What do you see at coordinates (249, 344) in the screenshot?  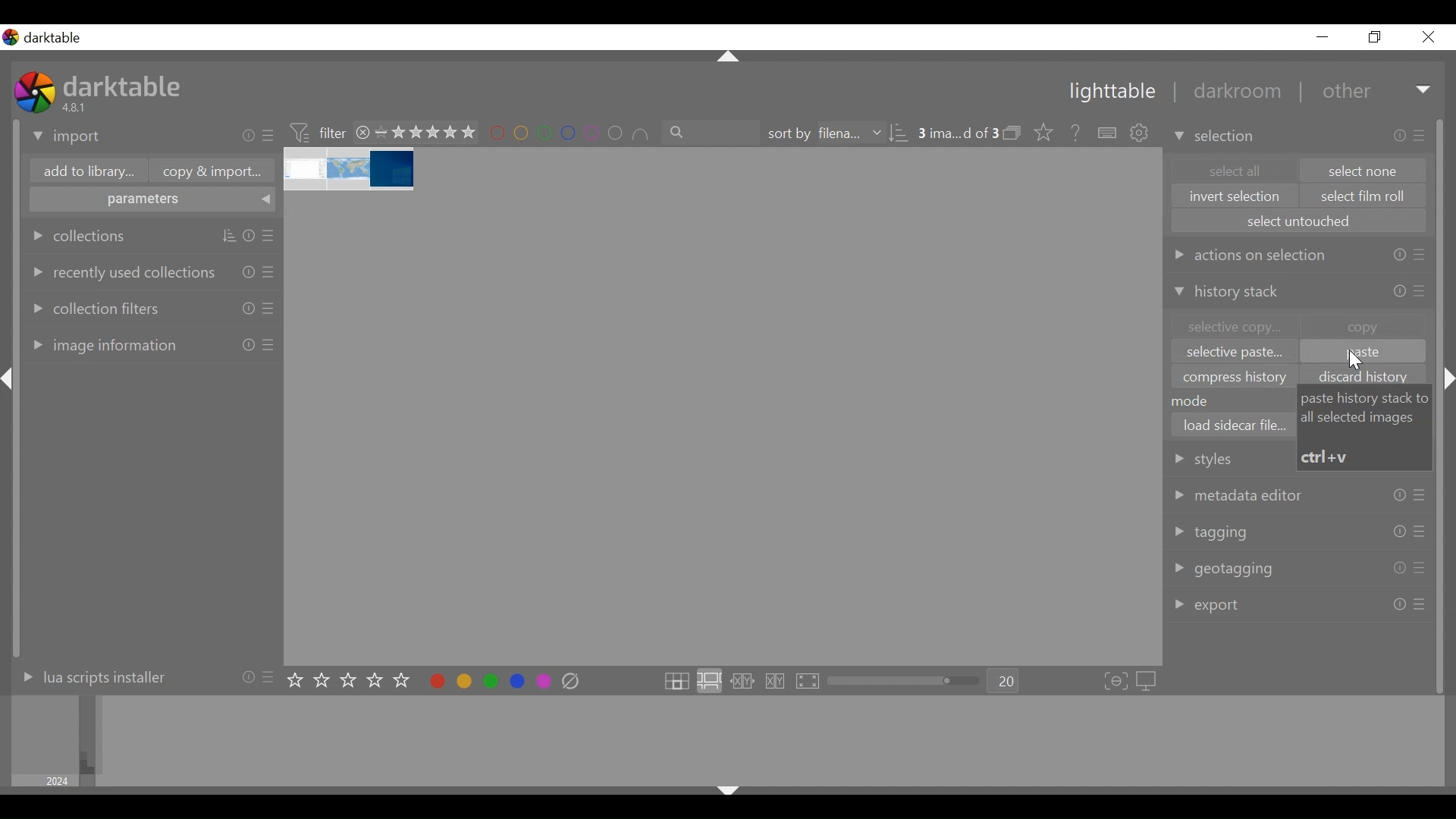 I see `info` at bounding box center [249, 344].